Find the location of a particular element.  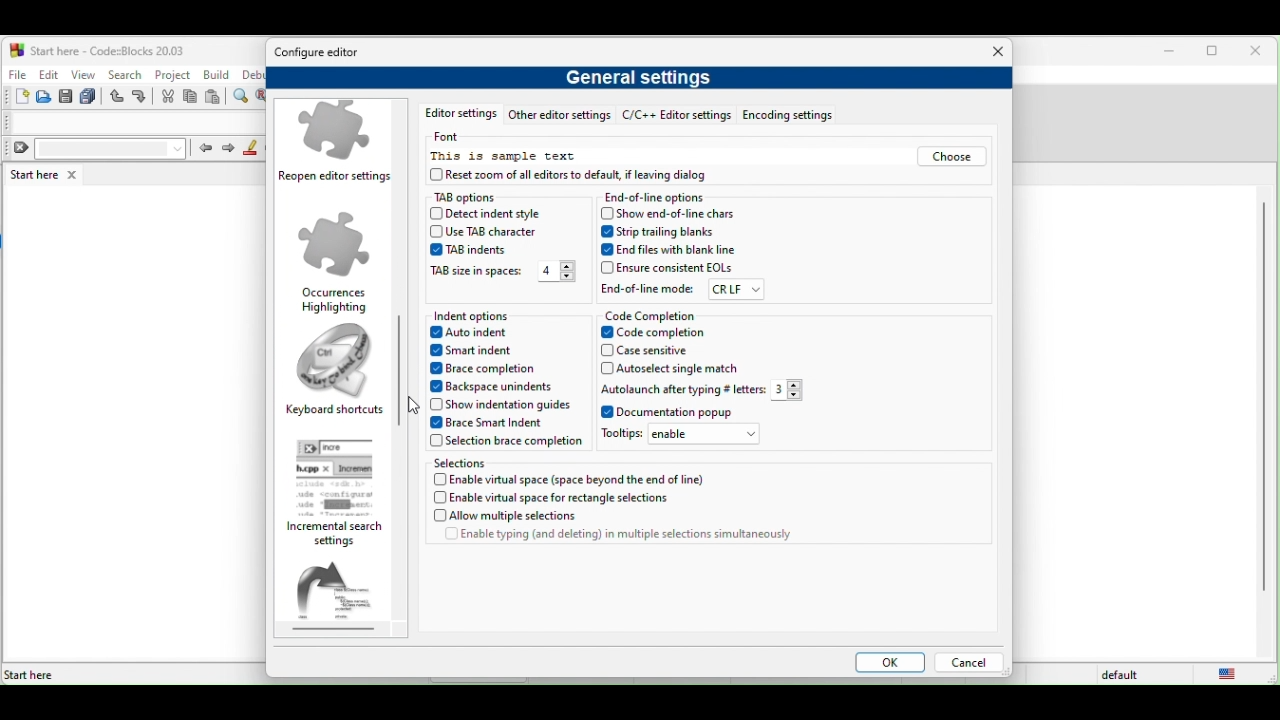

ok is located at coordinates (886, 664).